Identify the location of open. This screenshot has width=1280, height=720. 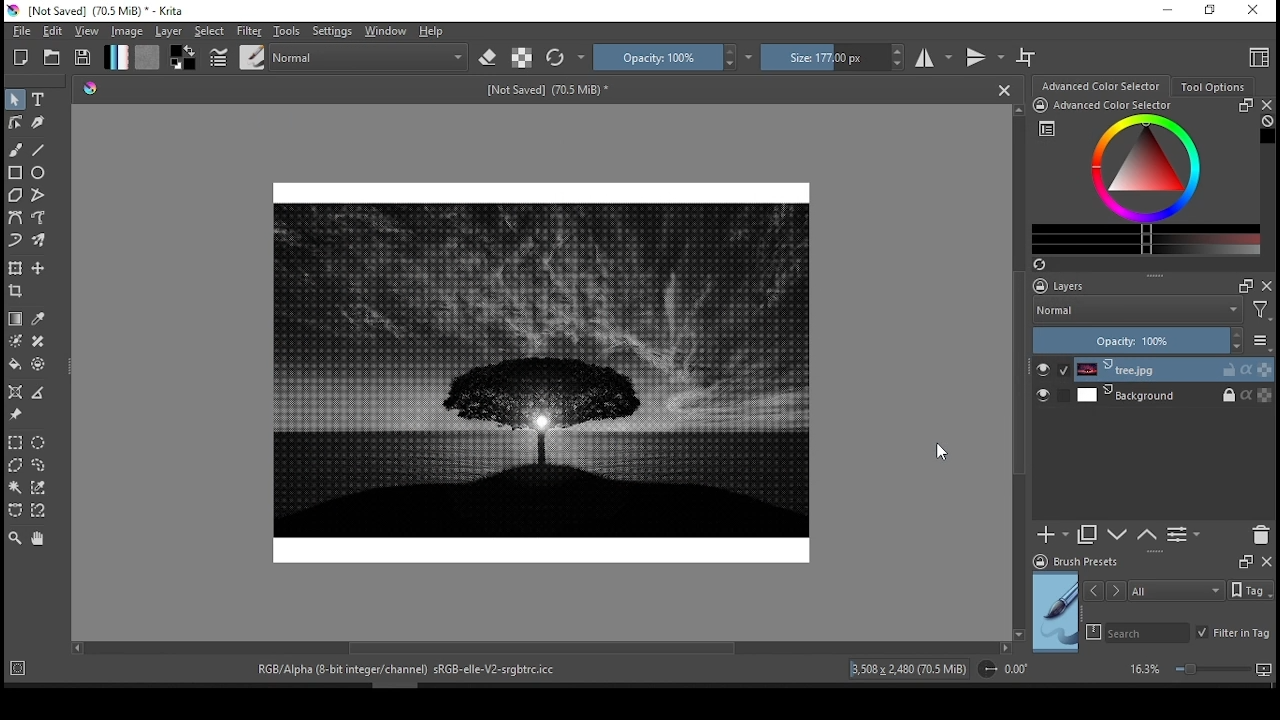
(52, 58).